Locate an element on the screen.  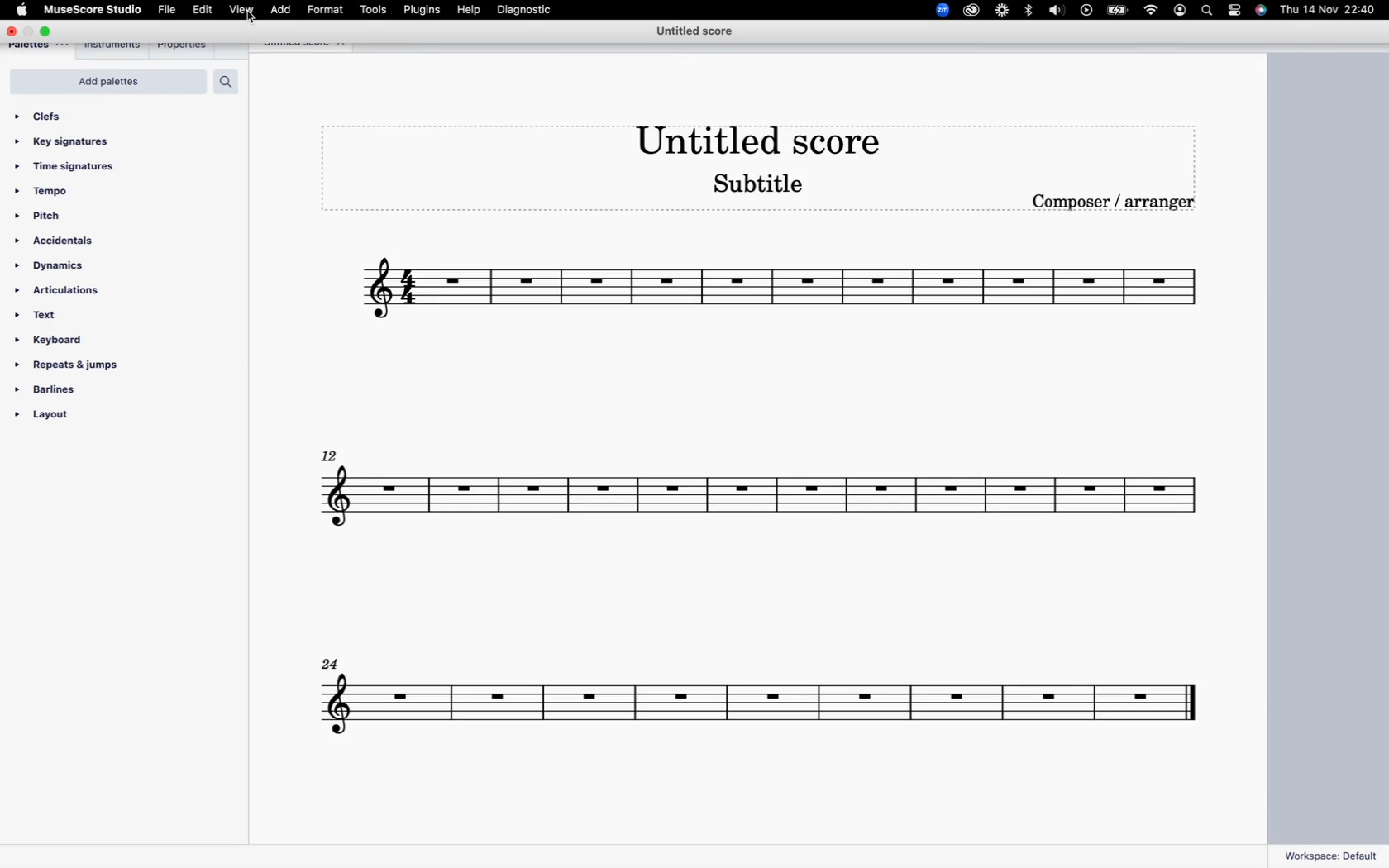
settings is located at coordinates (1237, 12).